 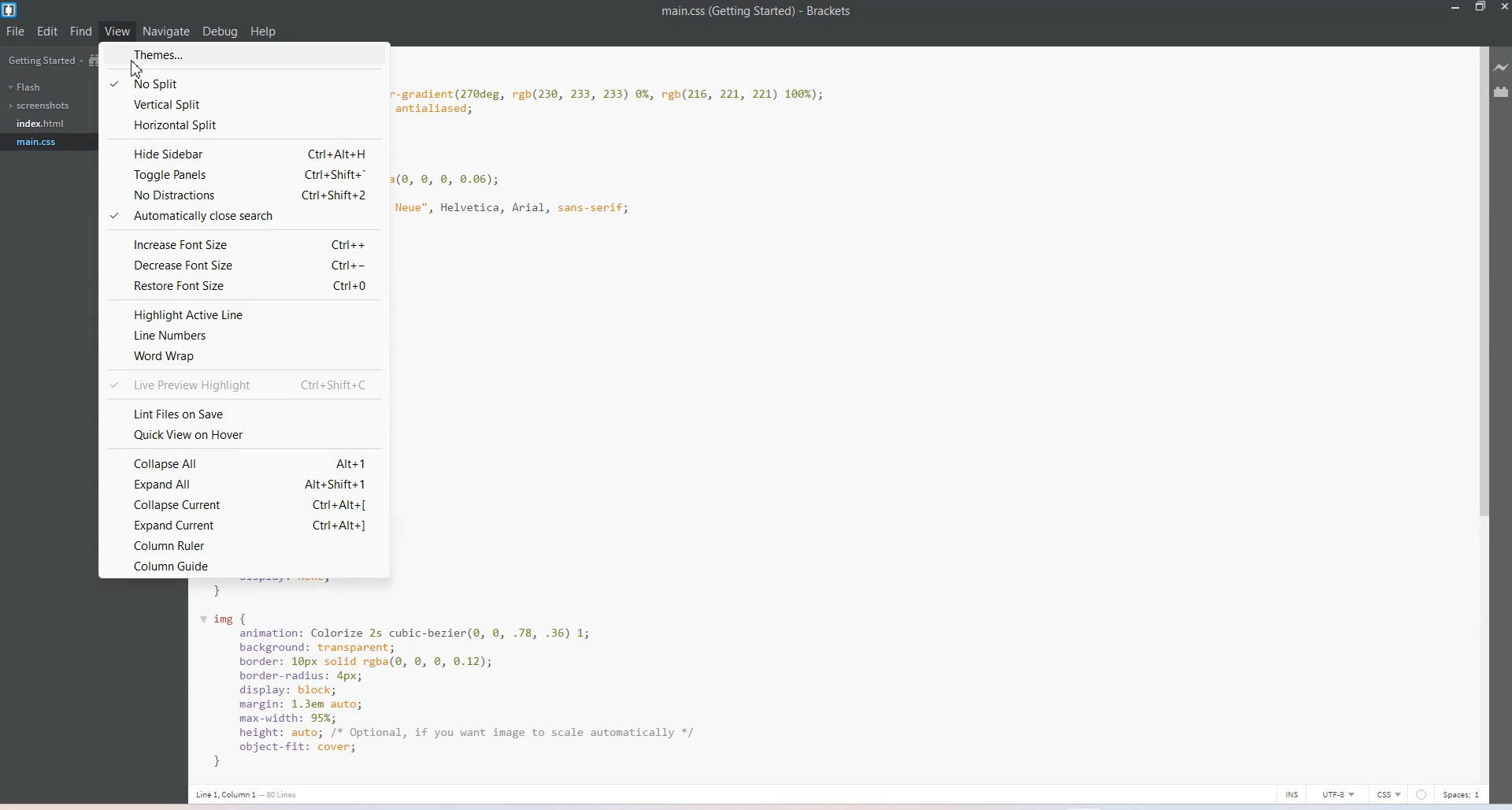 What do you see at coordinates (43, 124) in the screenshot?
I see `index.html` at bounding box center [43, 124].